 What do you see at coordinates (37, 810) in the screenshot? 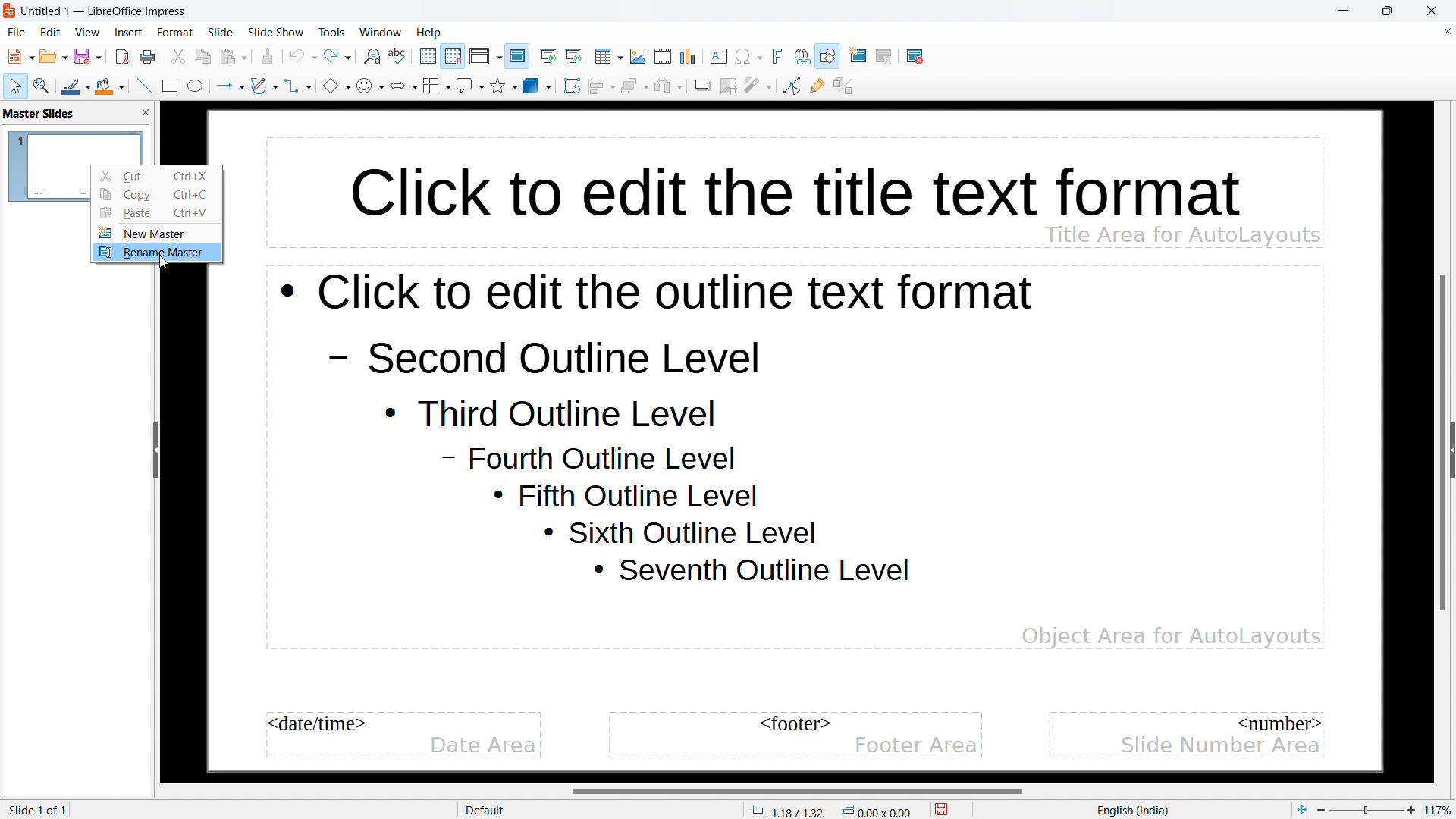
I see `slide 1 of 1` at bounding box center [37, 810].